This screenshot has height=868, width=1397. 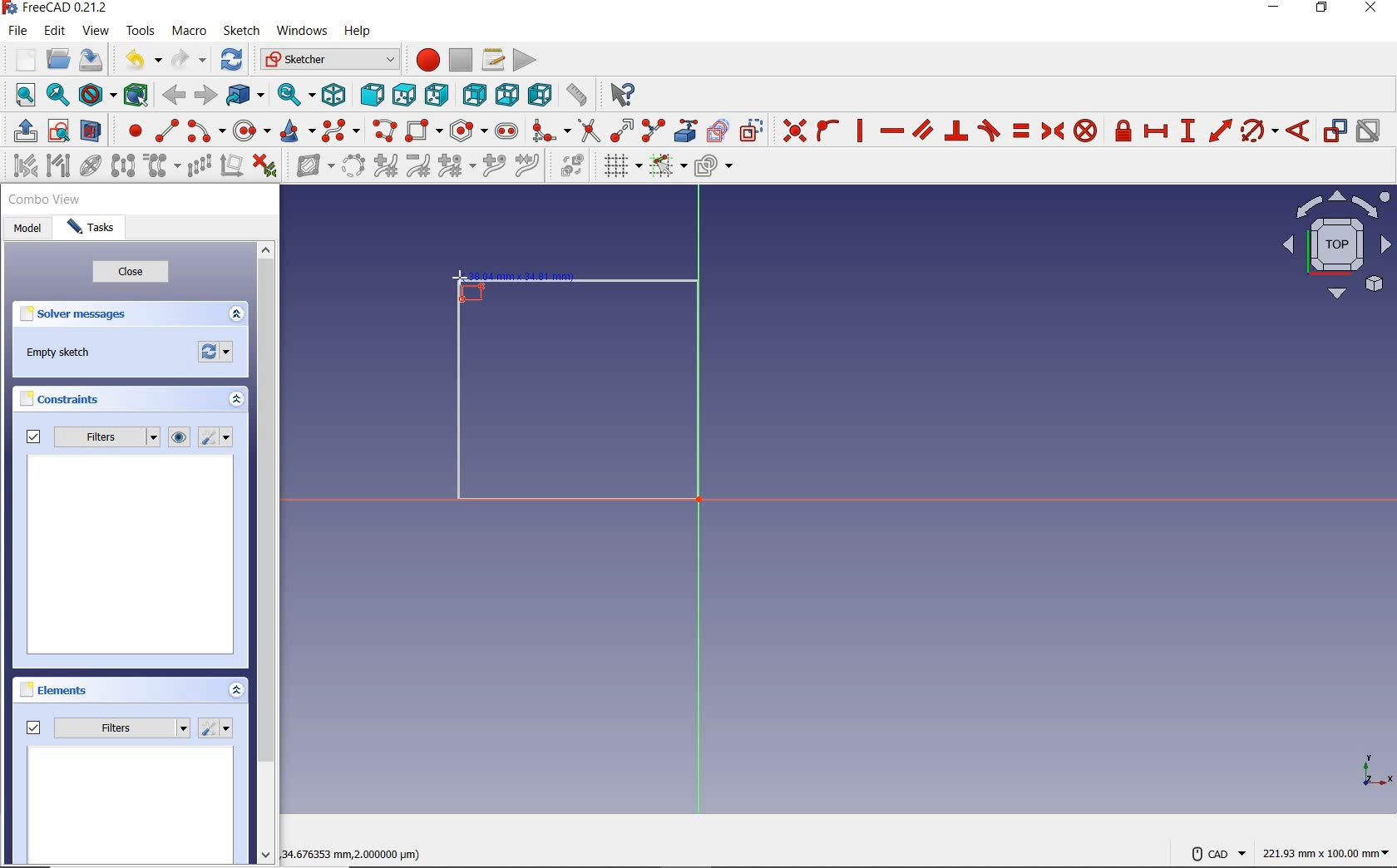 I want to click on new, so click(x=19, y=59).